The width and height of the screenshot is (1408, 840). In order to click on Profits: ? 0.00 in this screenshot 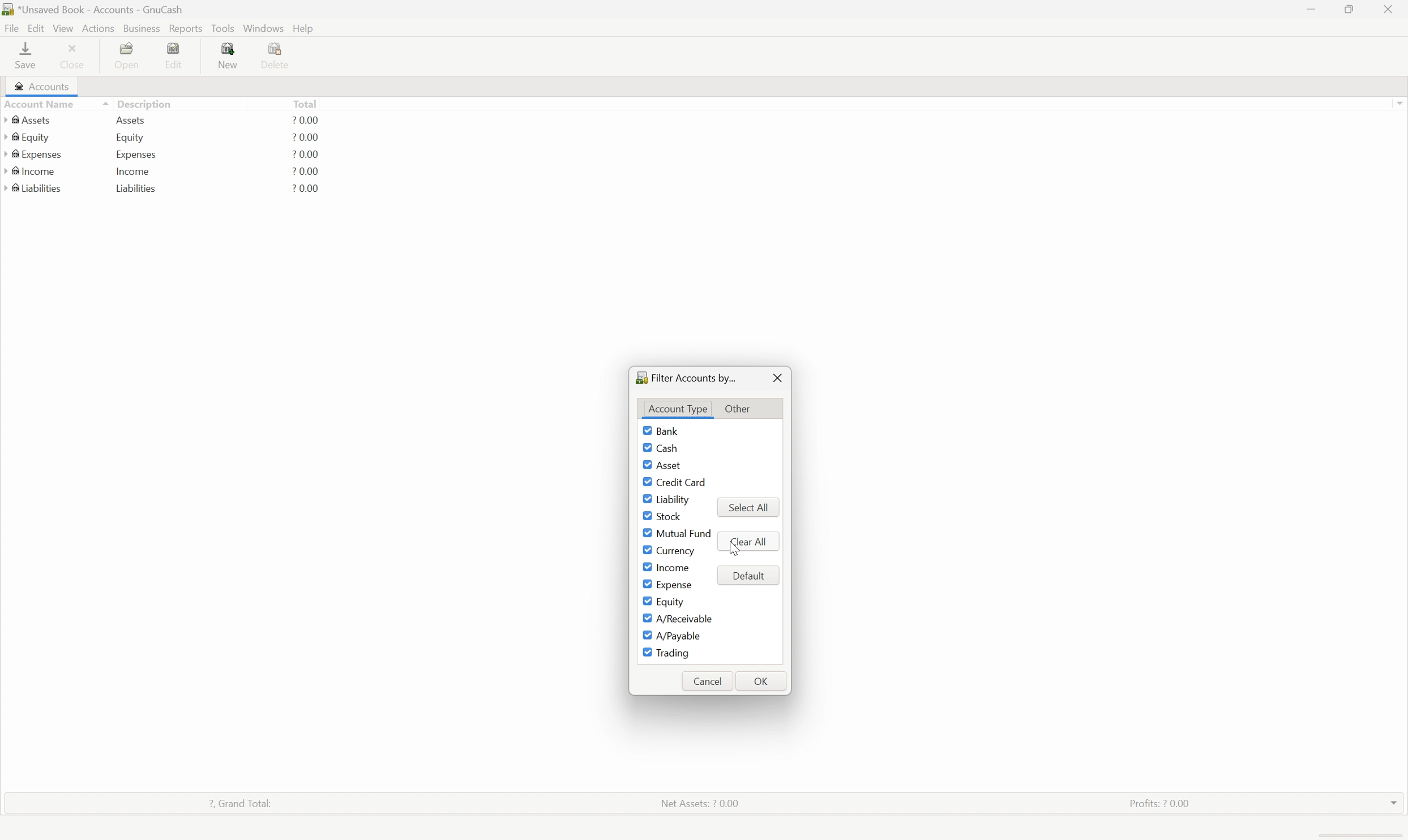, I will do `click(1158, 803)`.